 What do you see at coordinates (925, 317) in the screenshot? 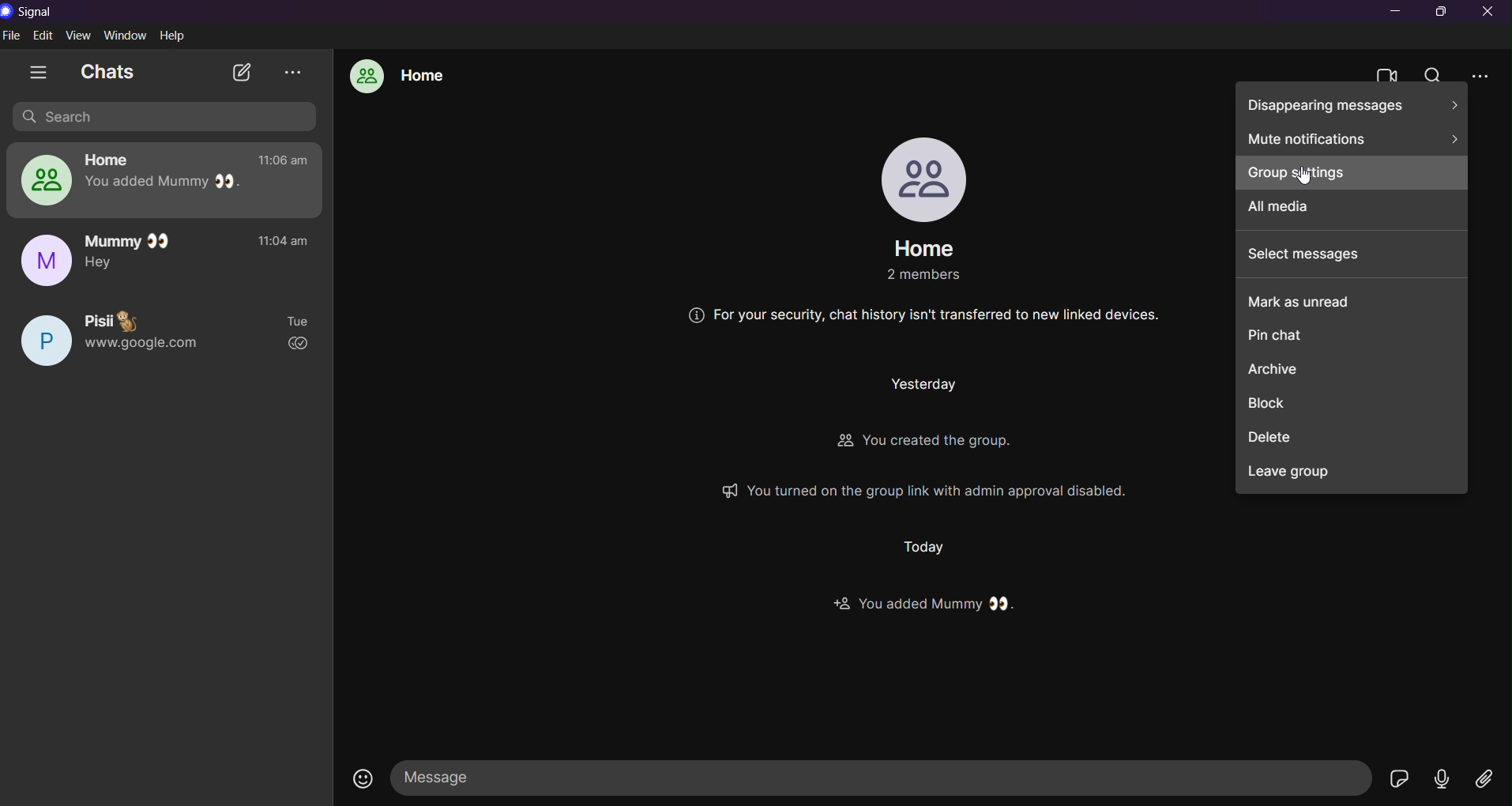
I see ` For your security, chat history isn't transferred to new linked devices.` at bounding box center [925, 317].